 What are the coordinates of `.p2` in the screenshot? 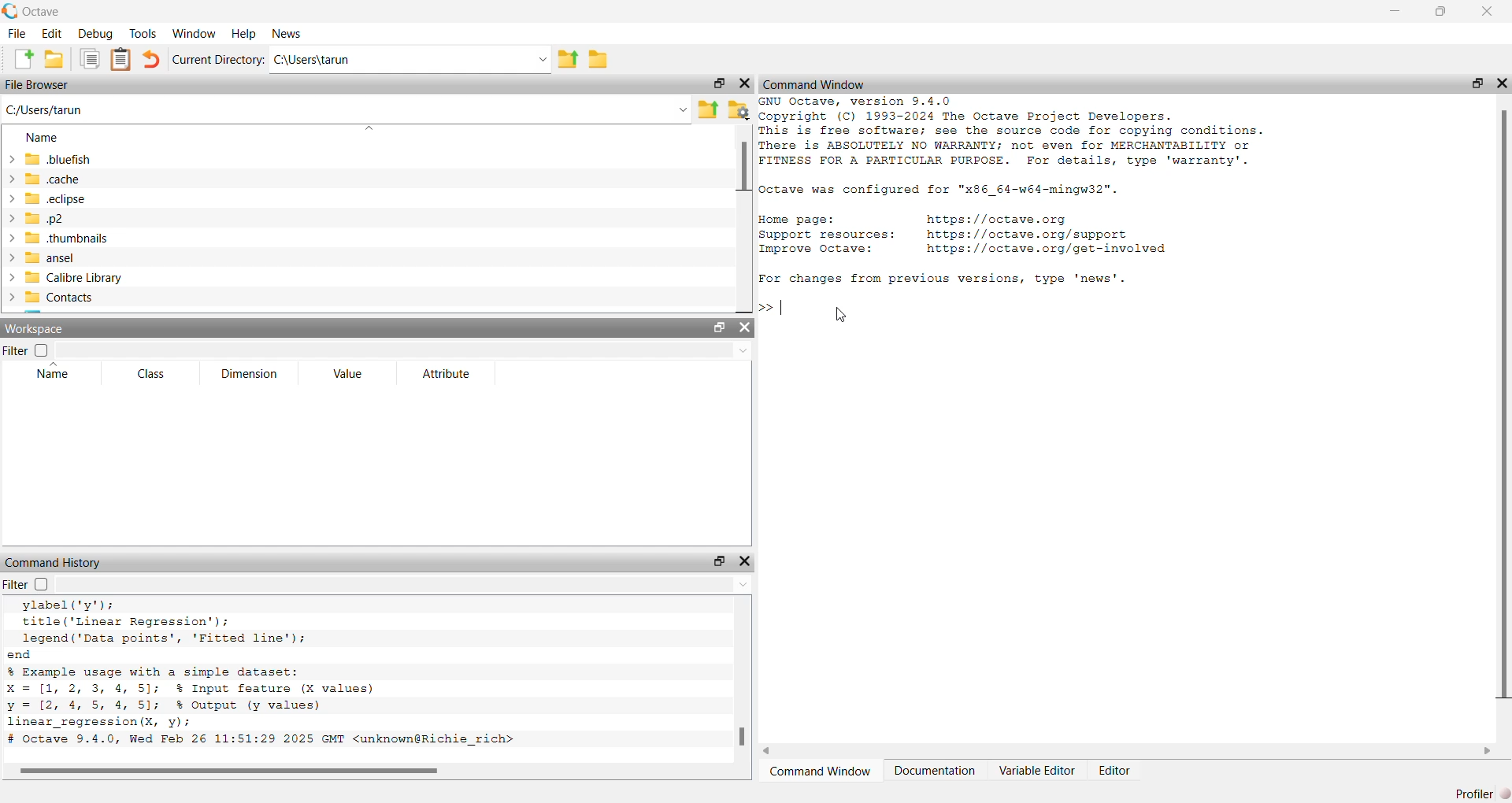 It's located at (103, 218).